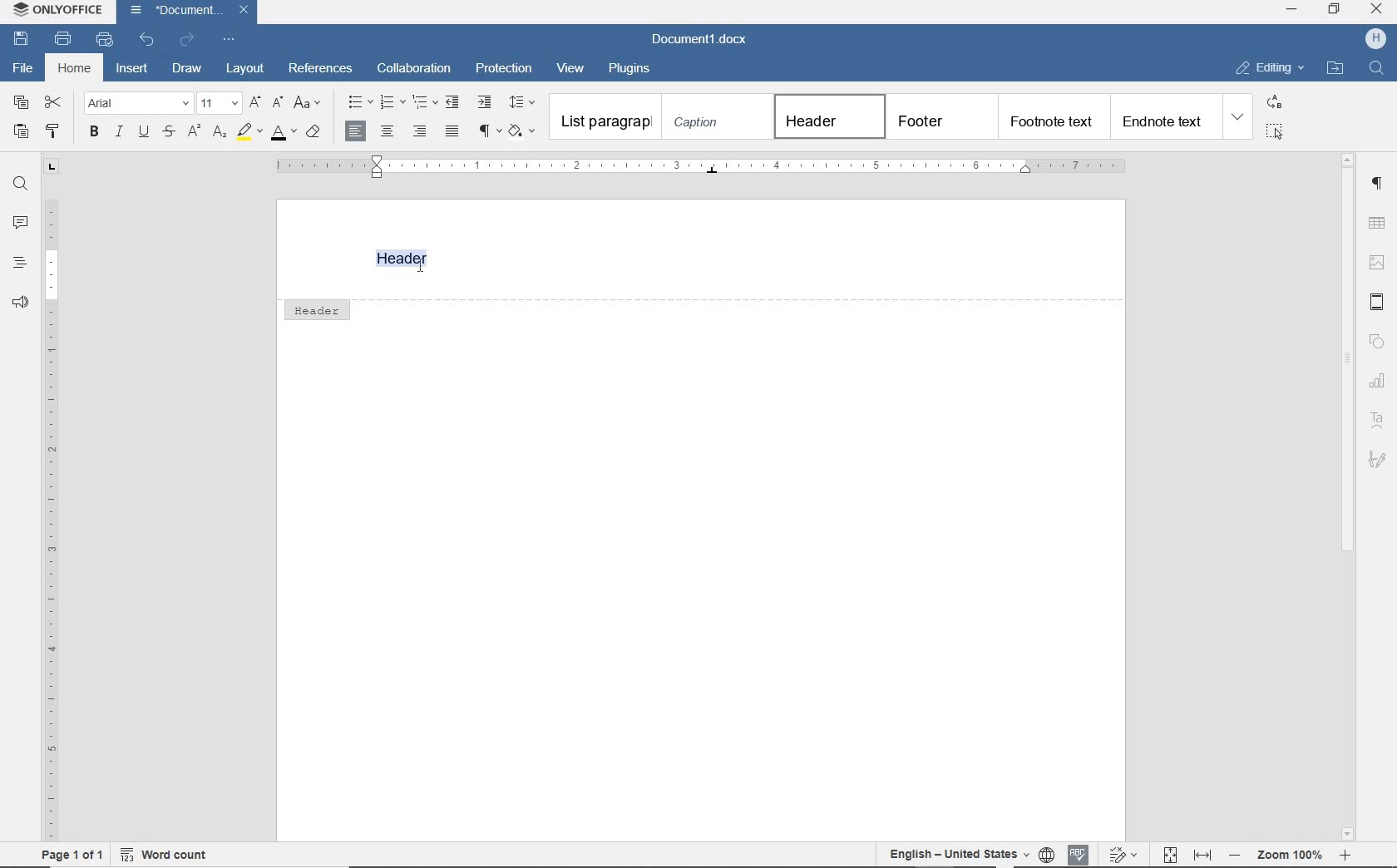 The image size is (1397, 868). What do you see at coordinates (245, 69) in the screenshot?
I see `layout` at bounding box center [245, 69].